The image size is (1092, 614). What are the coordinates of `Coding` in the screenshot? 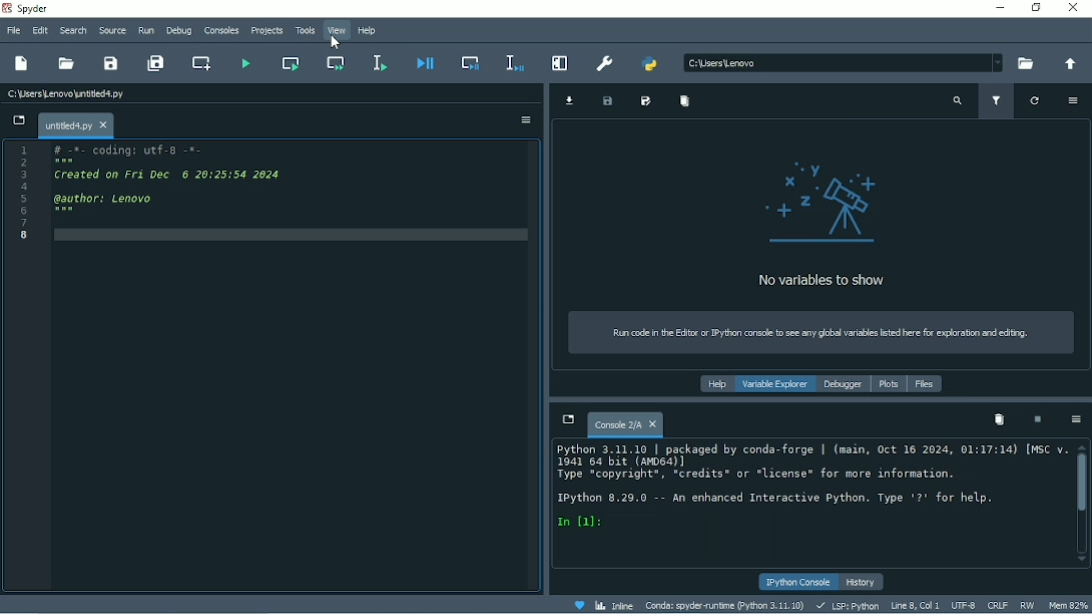 It's located at (131, 150).